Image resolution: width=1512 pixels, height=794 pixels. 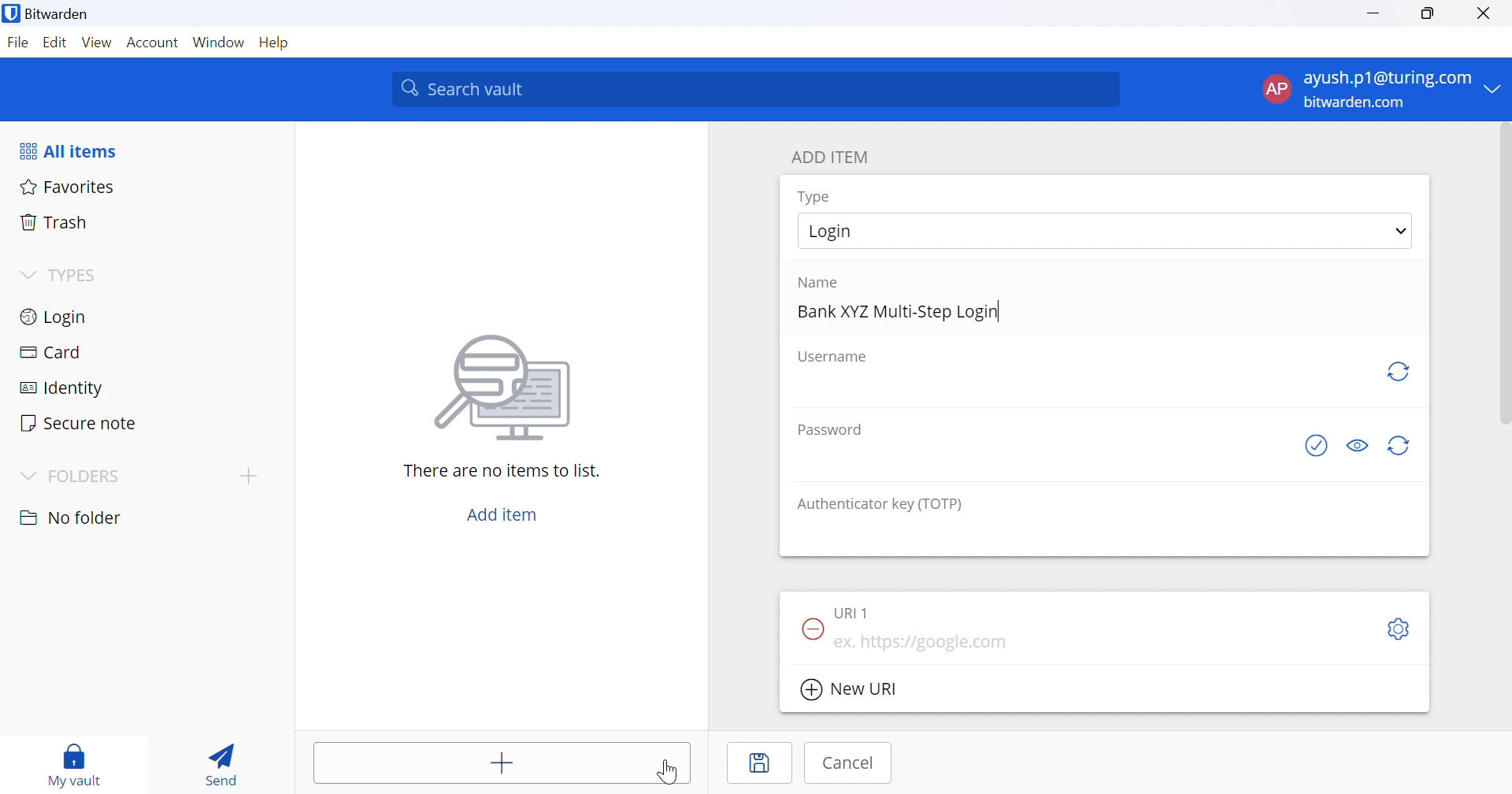 I want to click on Cursor, so click(x=668, y=773).